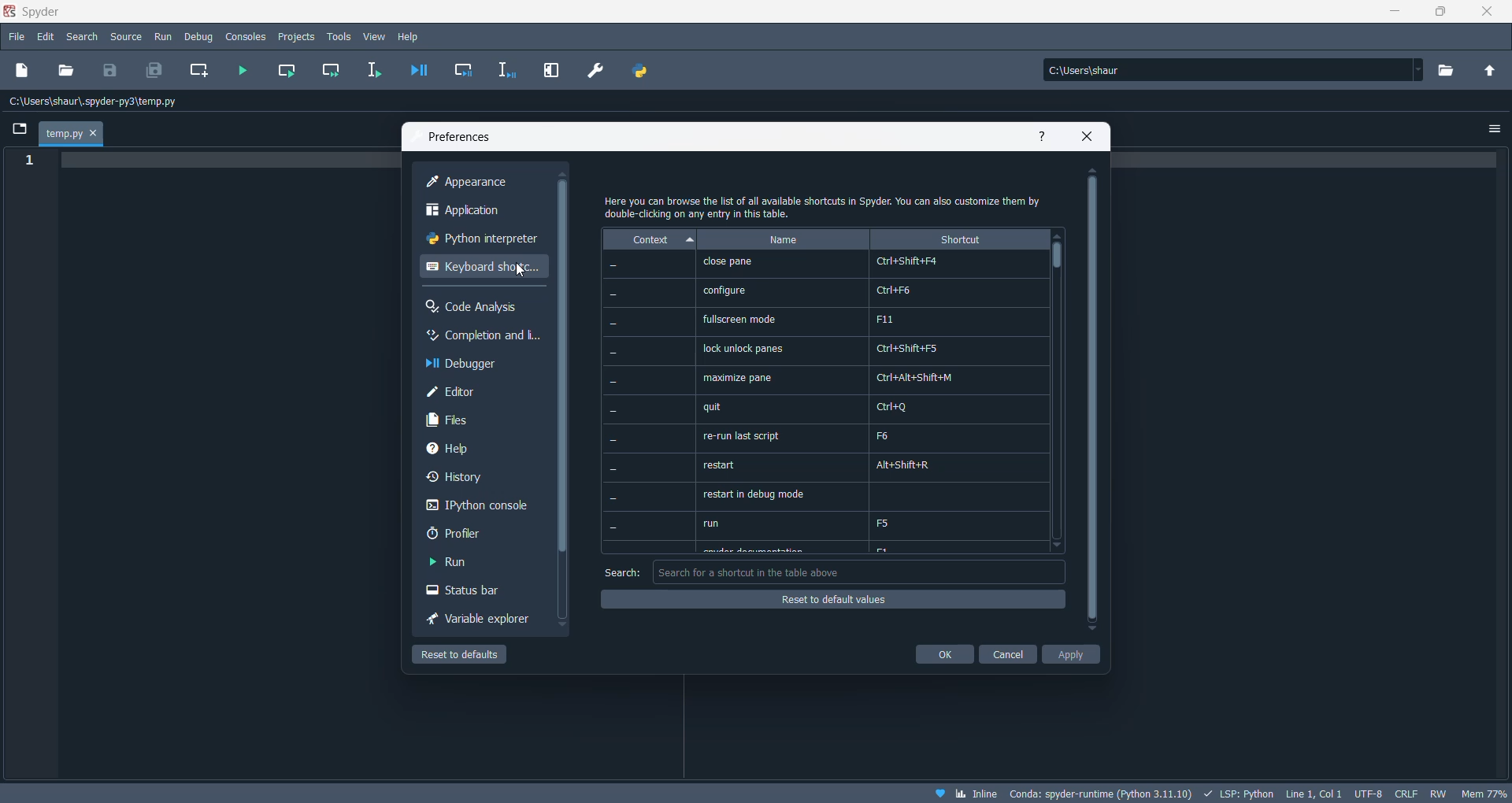  What do you see at coordinates (464, 137) in the screenshot?
I see `preferences ` at bounding box center [464, 137].